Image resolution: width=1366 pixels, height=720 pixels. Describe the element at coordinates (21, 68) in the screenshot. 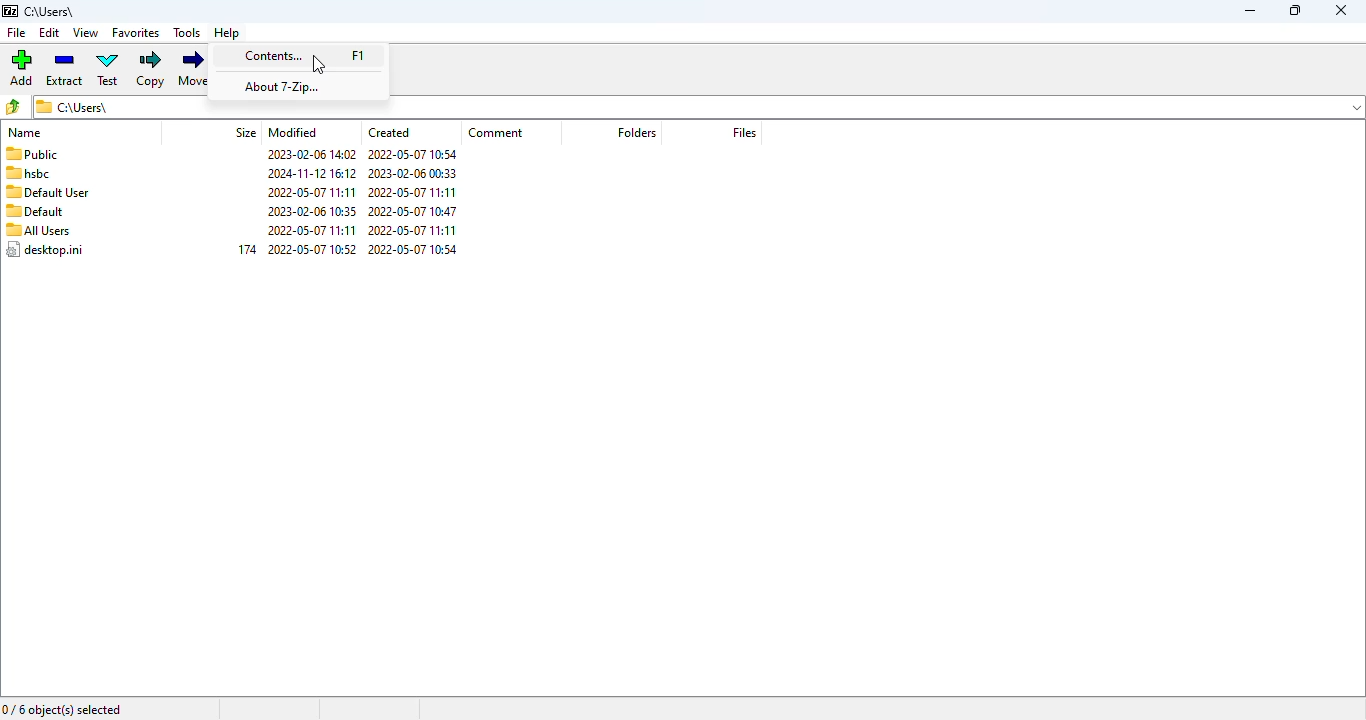

I see `add` at that location.